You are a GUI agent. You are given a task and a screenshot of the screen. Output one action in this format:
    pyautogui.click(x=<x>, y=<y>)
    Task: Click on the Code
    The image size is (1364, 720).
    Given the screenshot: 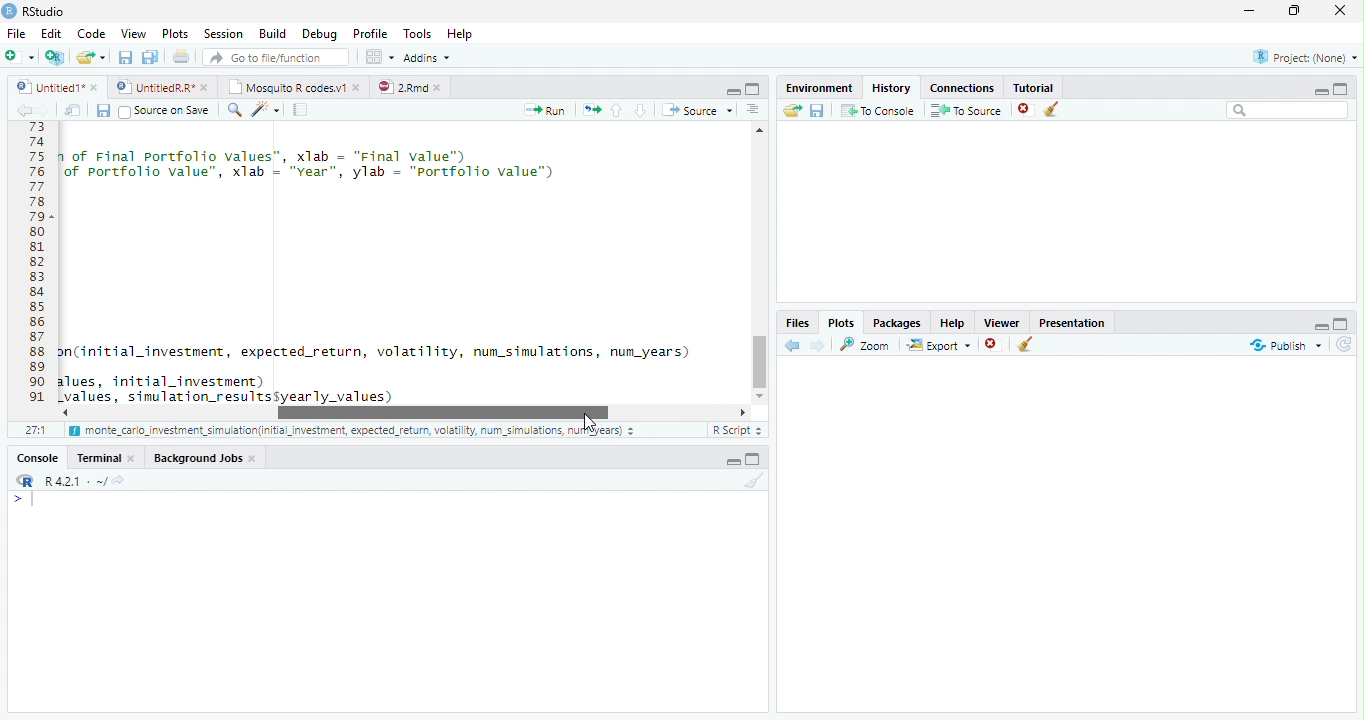 What is the action you would take?
    pyautogui.click(x=402, y=264)
    